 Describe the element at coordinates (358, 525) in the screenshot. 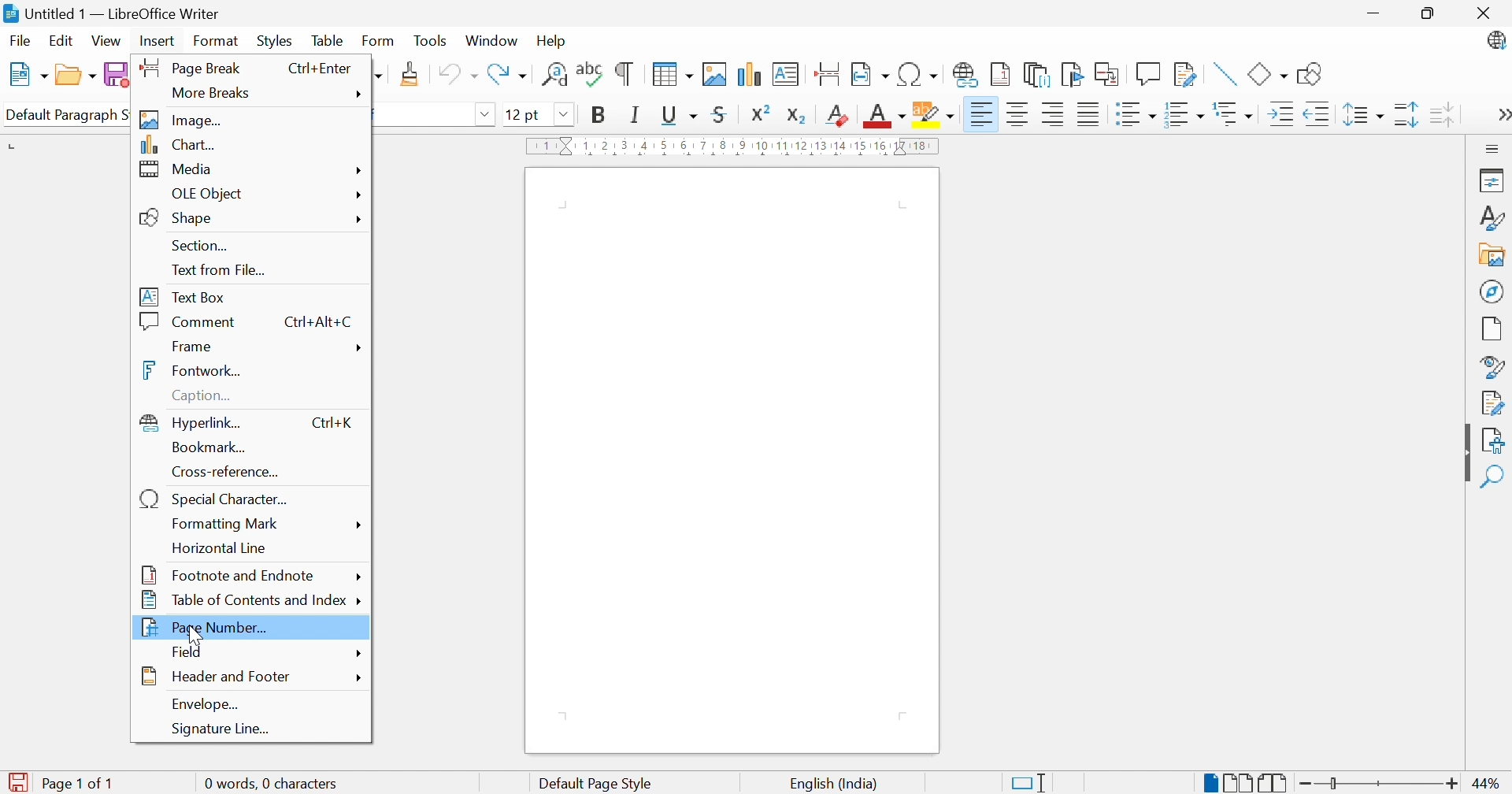

I see `More` at that location.